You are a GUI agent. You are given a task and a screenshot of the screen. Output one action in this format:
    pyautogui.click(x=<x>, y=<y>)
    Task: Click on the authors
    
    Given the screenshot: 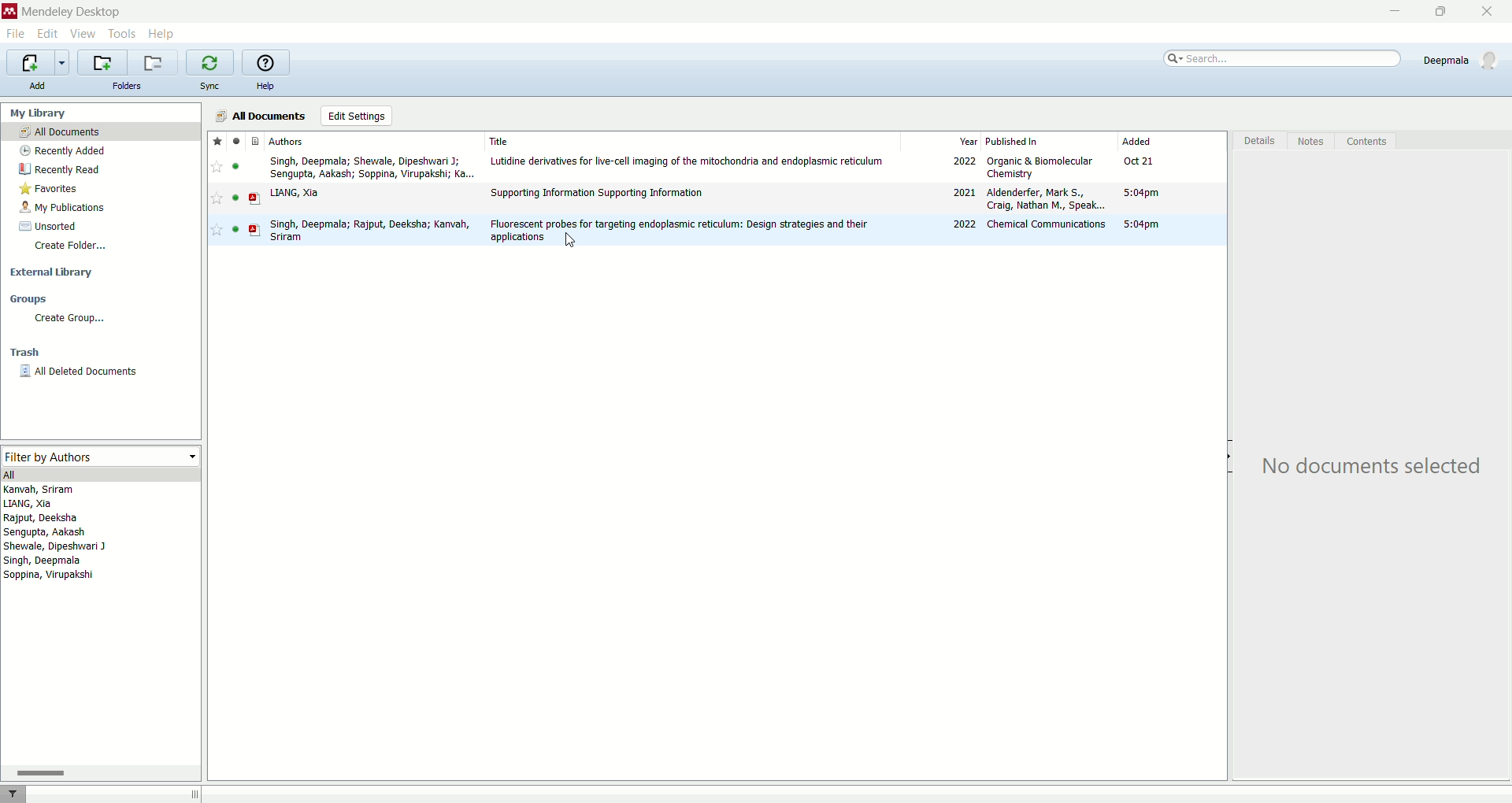 What is the action you would take?
    pyautogui.click(x=63, y=536)
    